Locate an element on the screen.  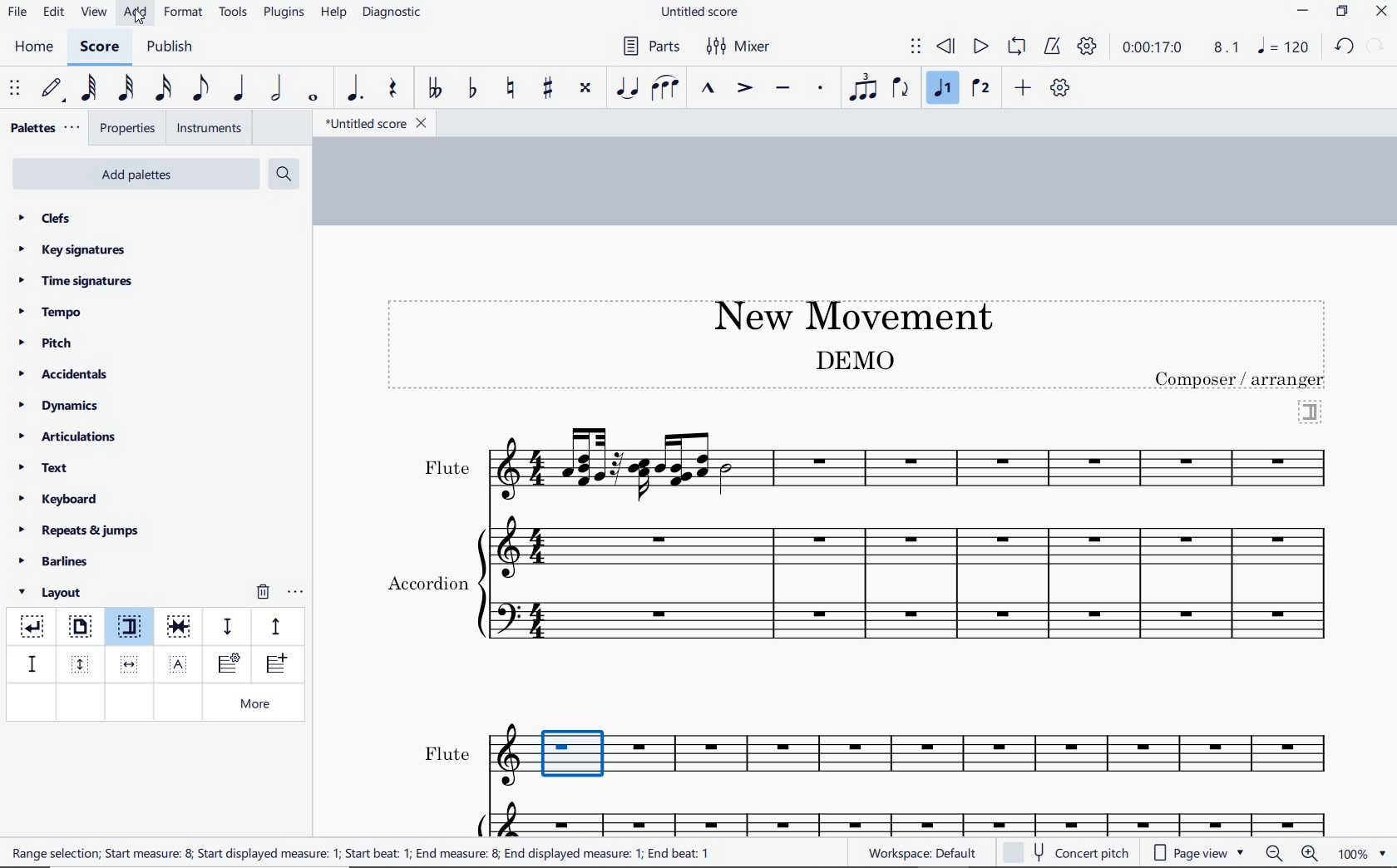
system break is located at coordinates (33, 624).